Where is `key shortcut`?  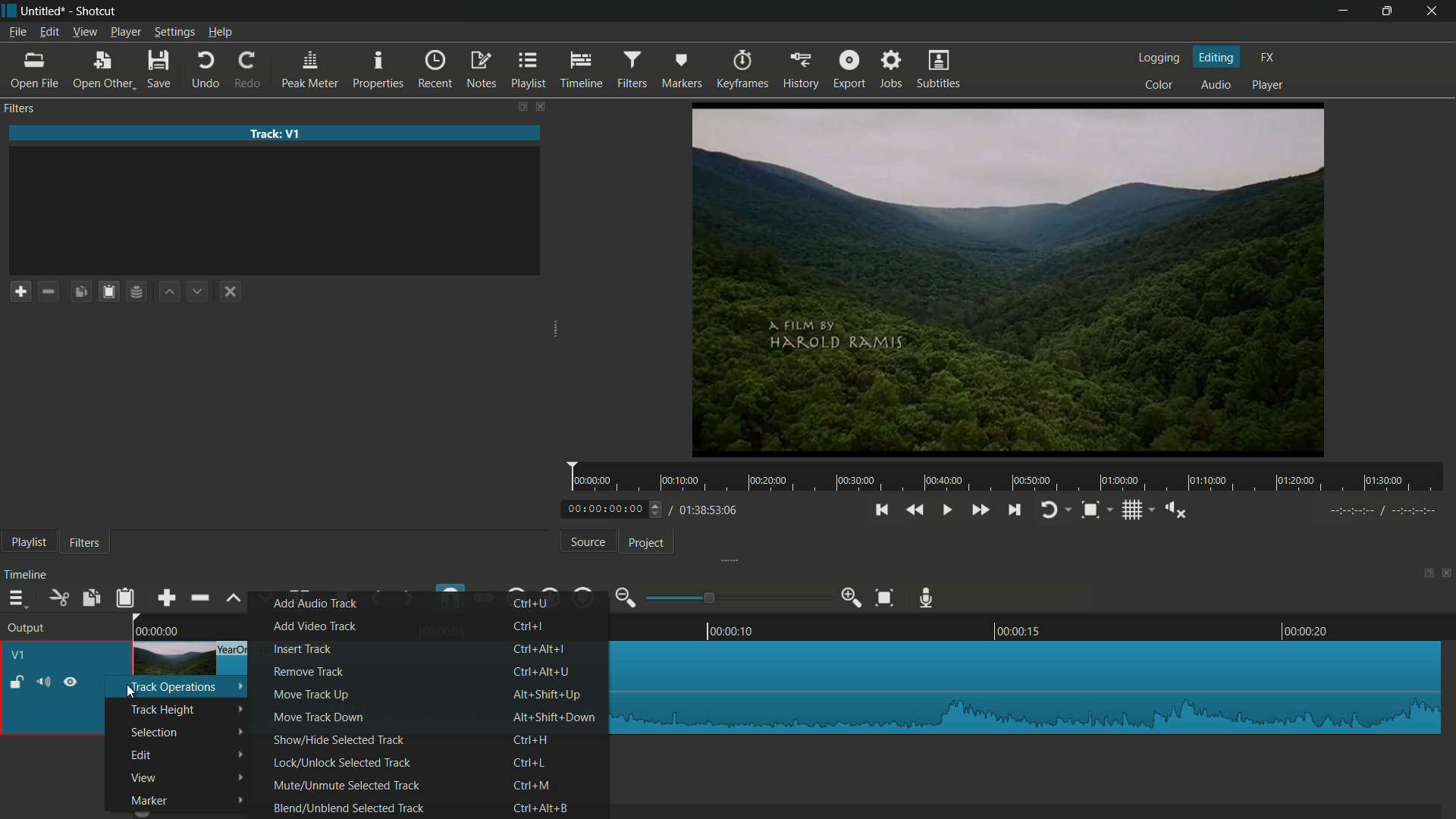
key shortcut is located at coordinates (557, 719).